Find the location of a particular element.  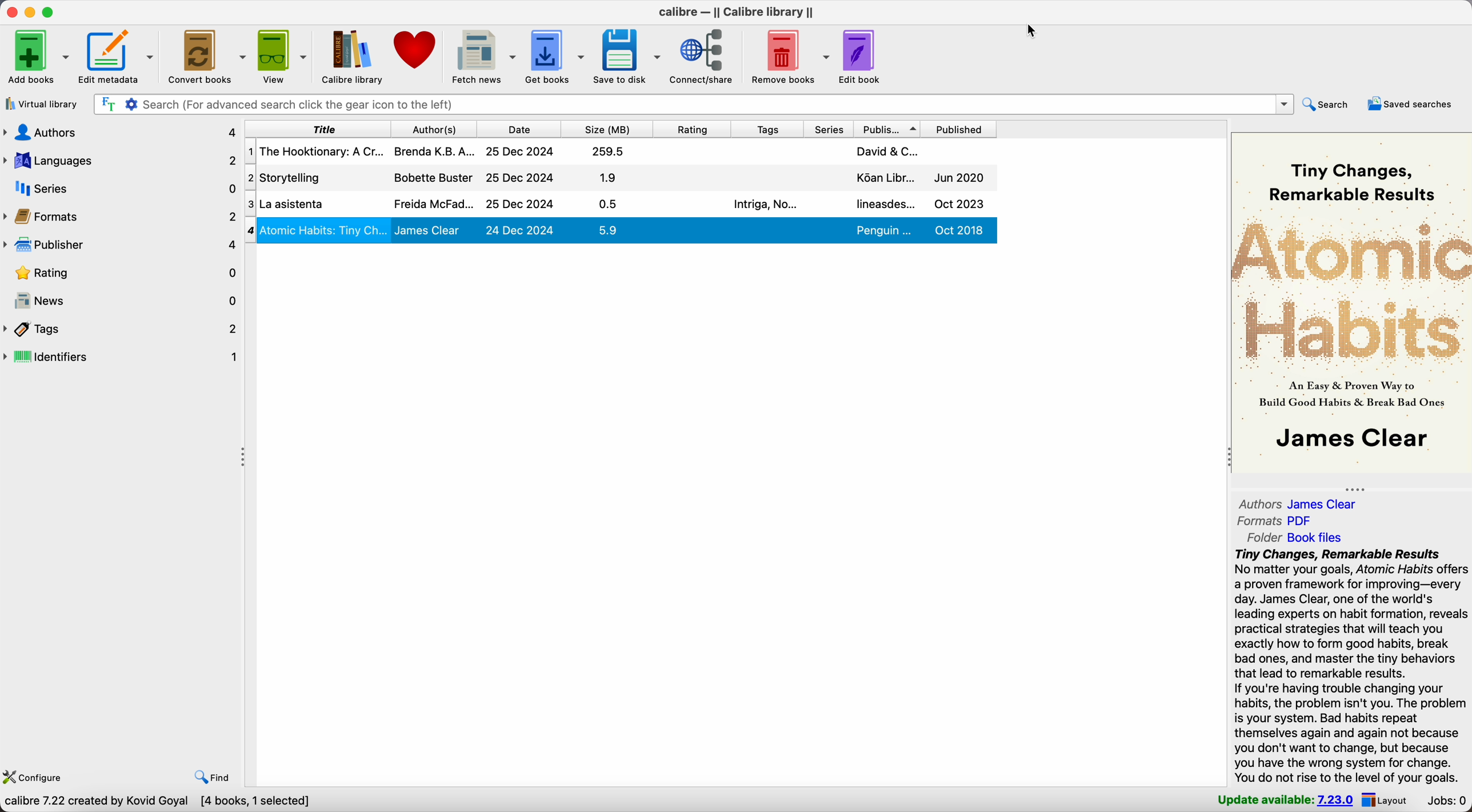

update available: 7.23.0 is located at coordinates (1282, 800).